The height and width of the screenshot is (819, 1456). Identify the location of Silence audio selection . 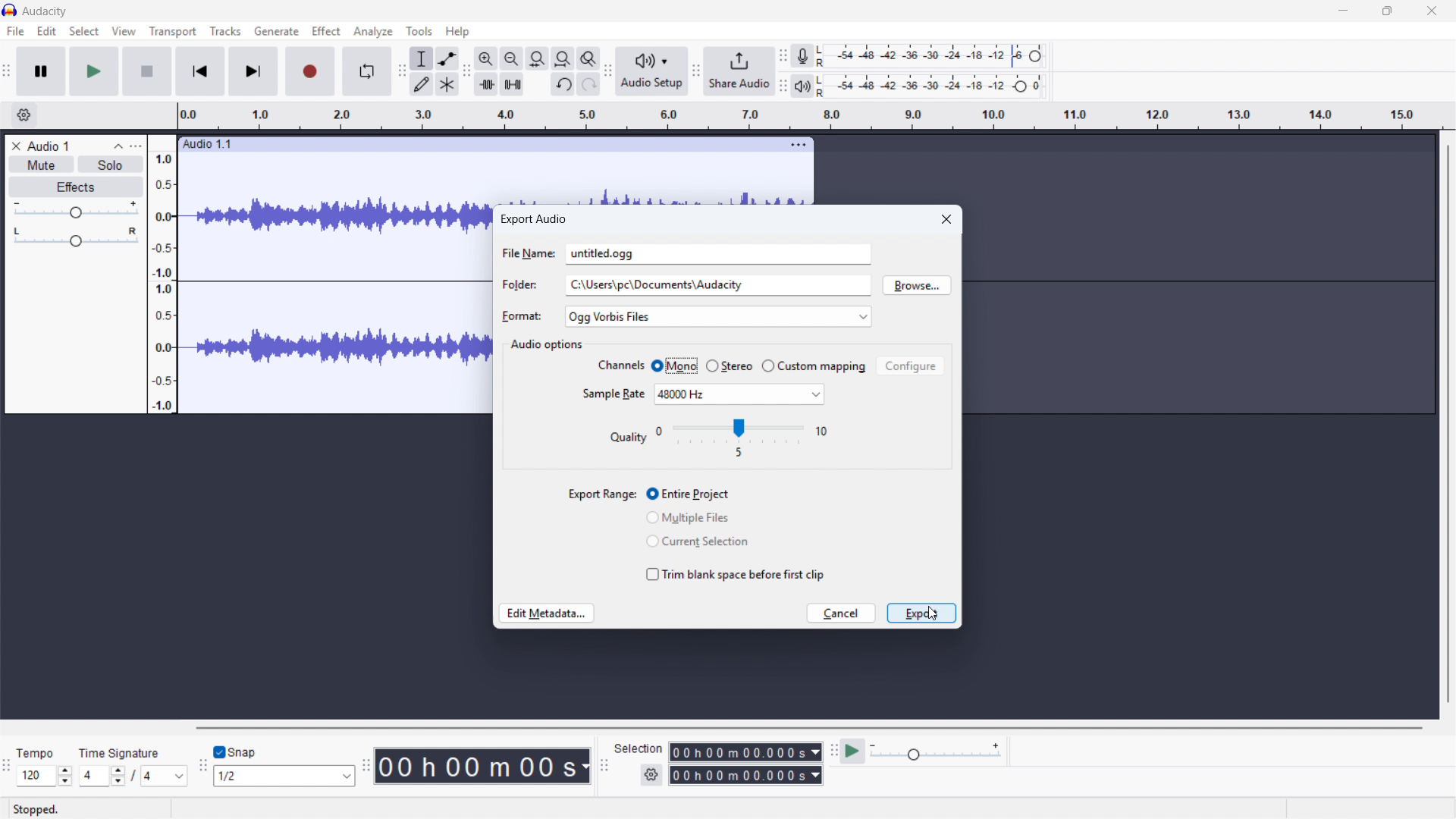
(513, 84).